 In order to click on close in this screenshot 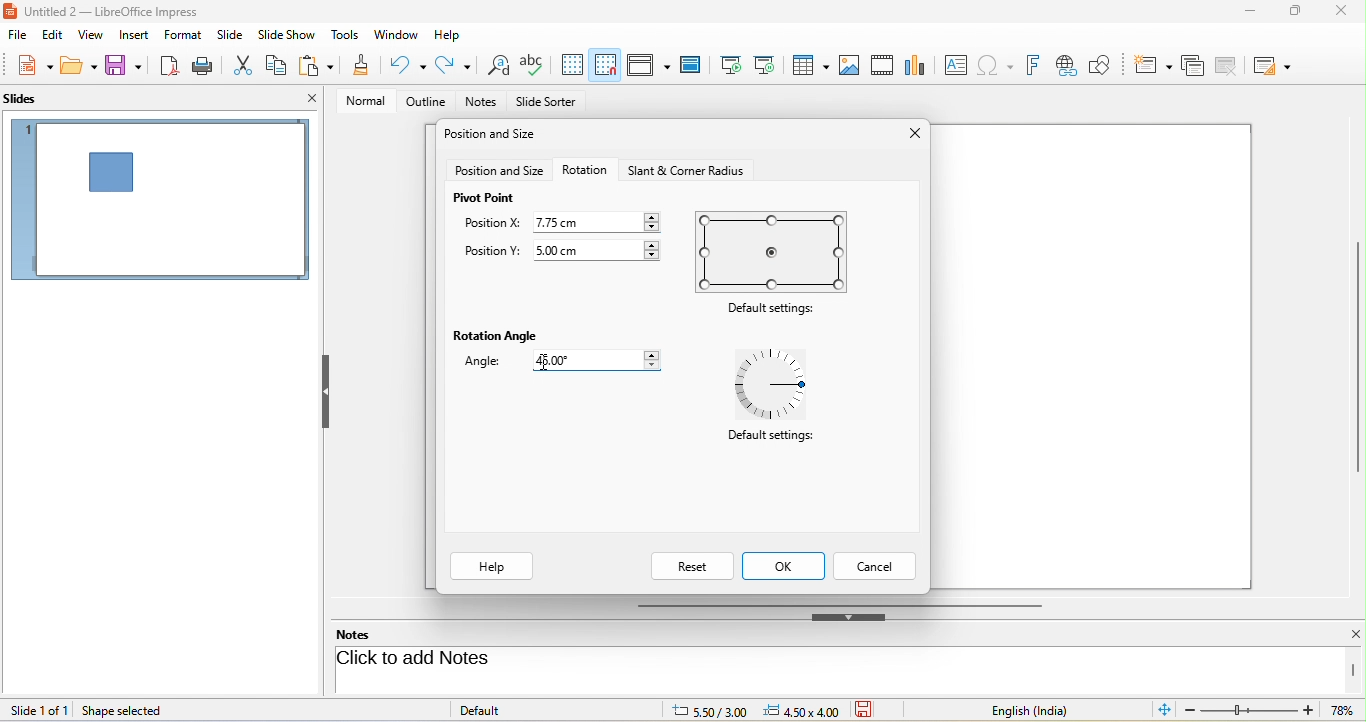, I will do `click(1344, 635)`.